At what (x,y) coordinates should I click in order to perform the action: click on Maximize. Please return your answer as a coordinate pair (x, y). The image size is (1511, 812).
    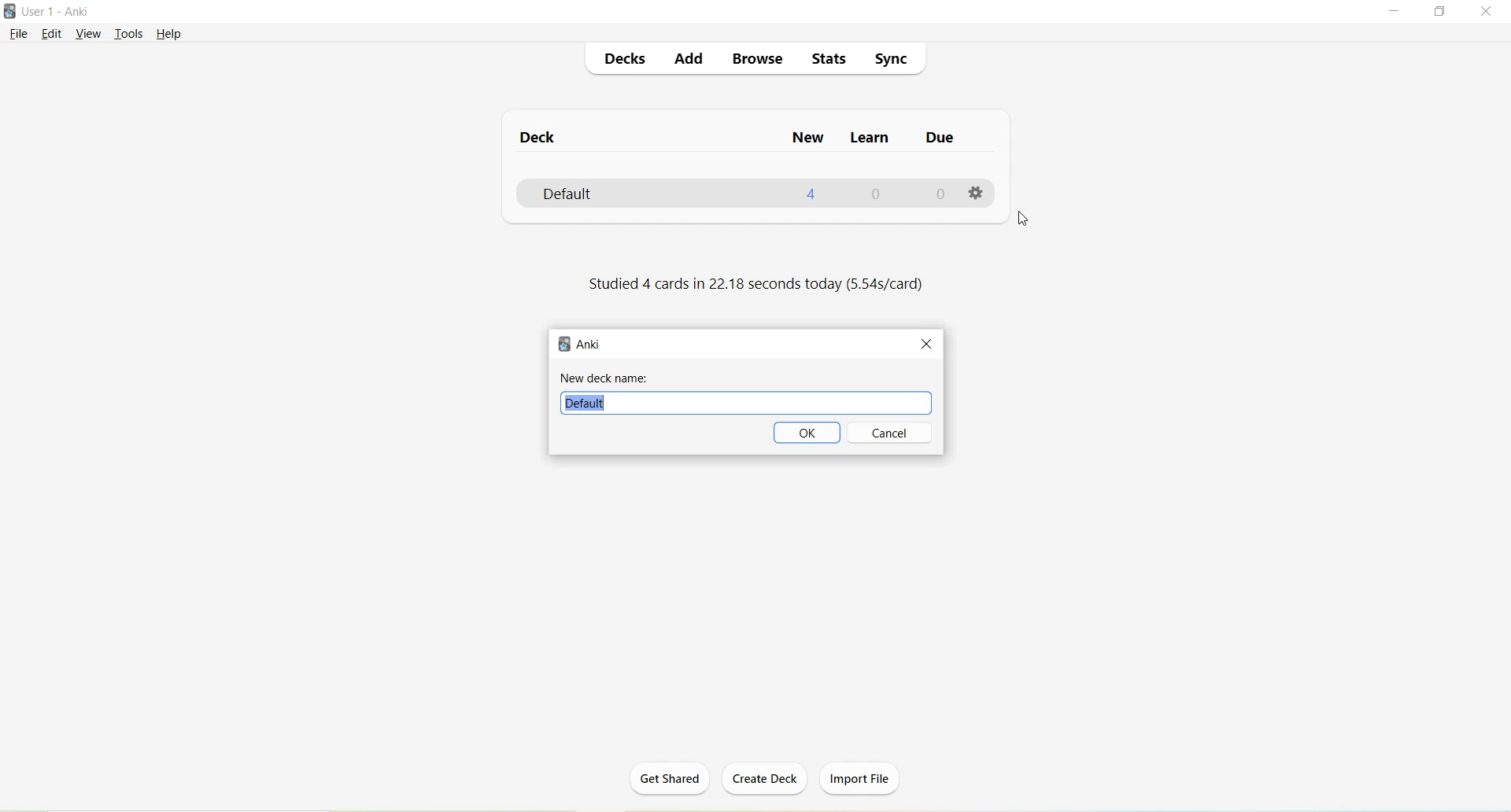
    Looking at the image, I should click on (1446, 12).